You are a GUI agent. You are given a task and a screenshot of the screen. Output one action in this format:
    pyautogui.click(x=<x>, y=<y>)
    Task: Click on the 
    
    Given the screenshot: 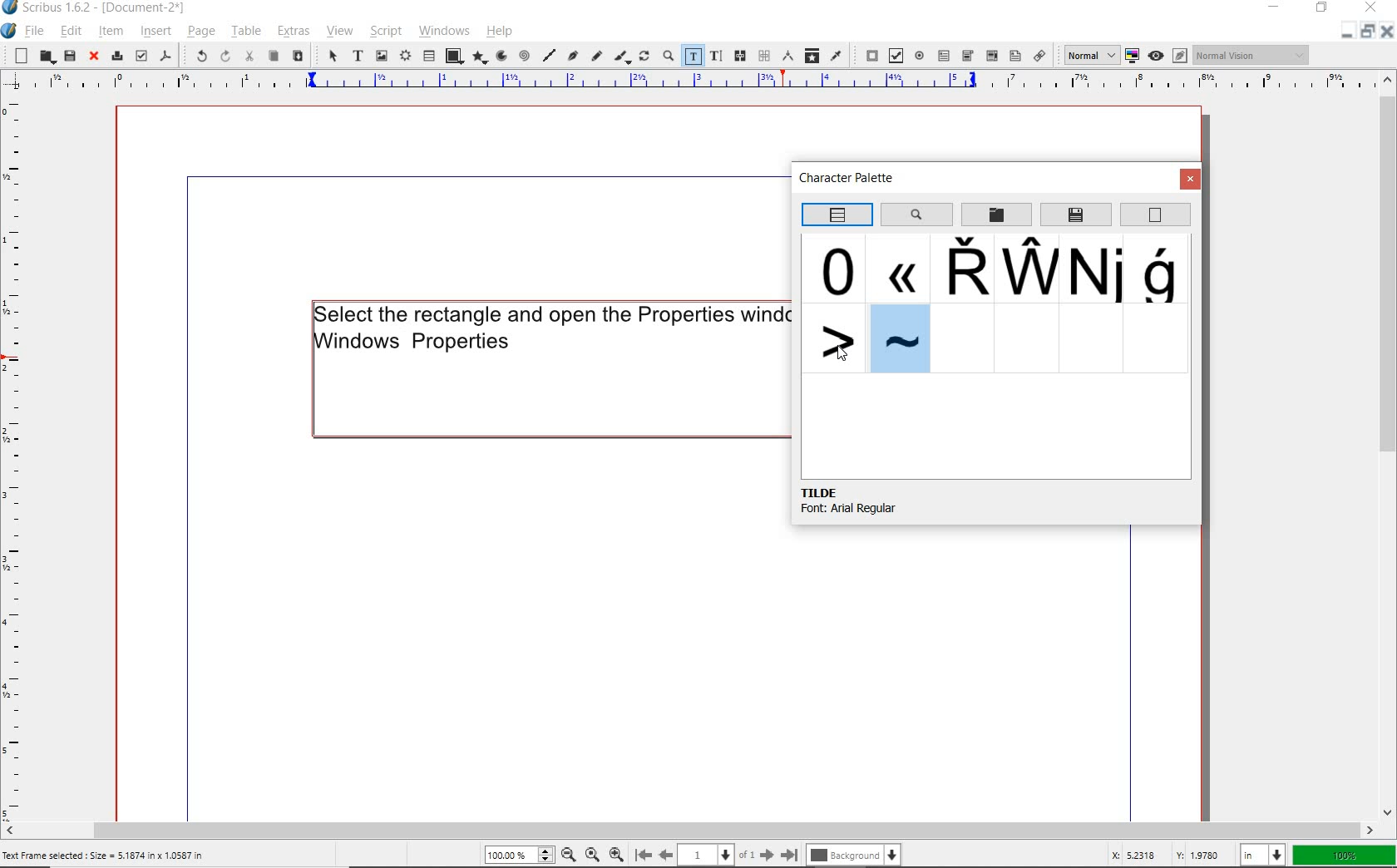 What is the action you would take?
    pyautogui.click(x=896, y=338)
    